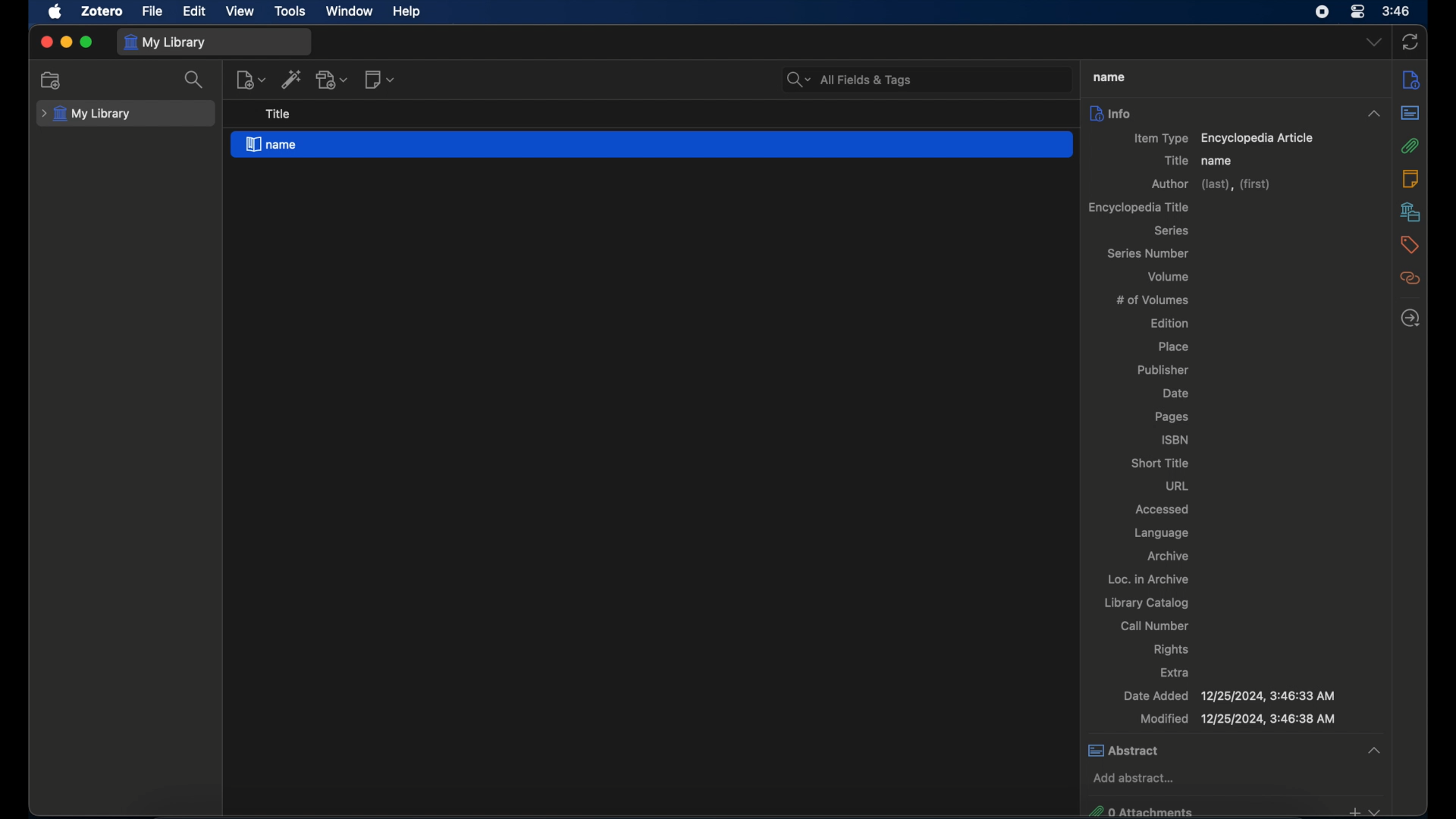 Image resolution: width=1456 pixels, height=819 pixels. What do you see at coordinates (240, 11) in the screenshot?
I see `view` at bounding box center [240, 11].